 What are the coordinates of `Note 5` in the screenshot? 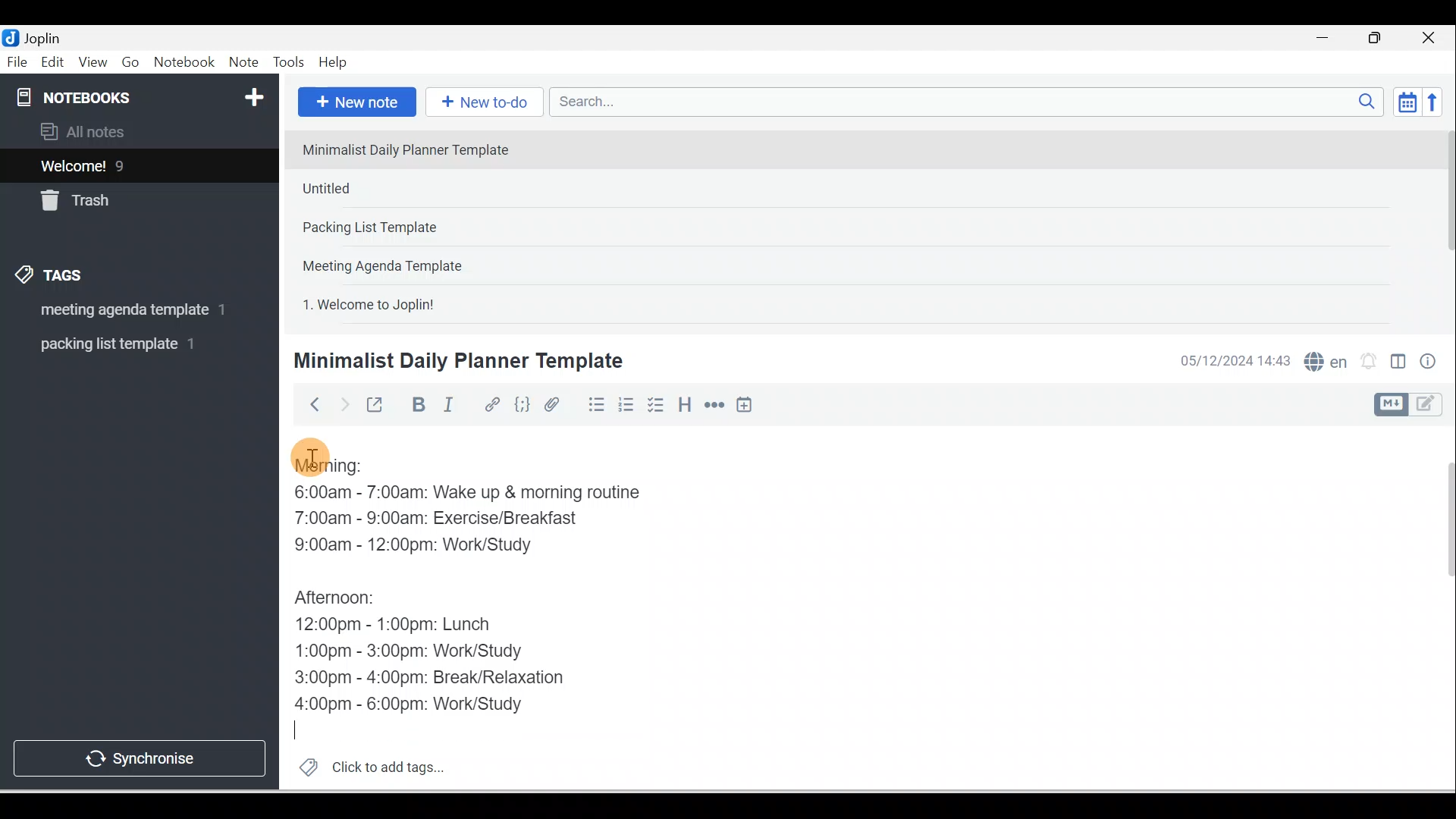 It's located at (424, 303).